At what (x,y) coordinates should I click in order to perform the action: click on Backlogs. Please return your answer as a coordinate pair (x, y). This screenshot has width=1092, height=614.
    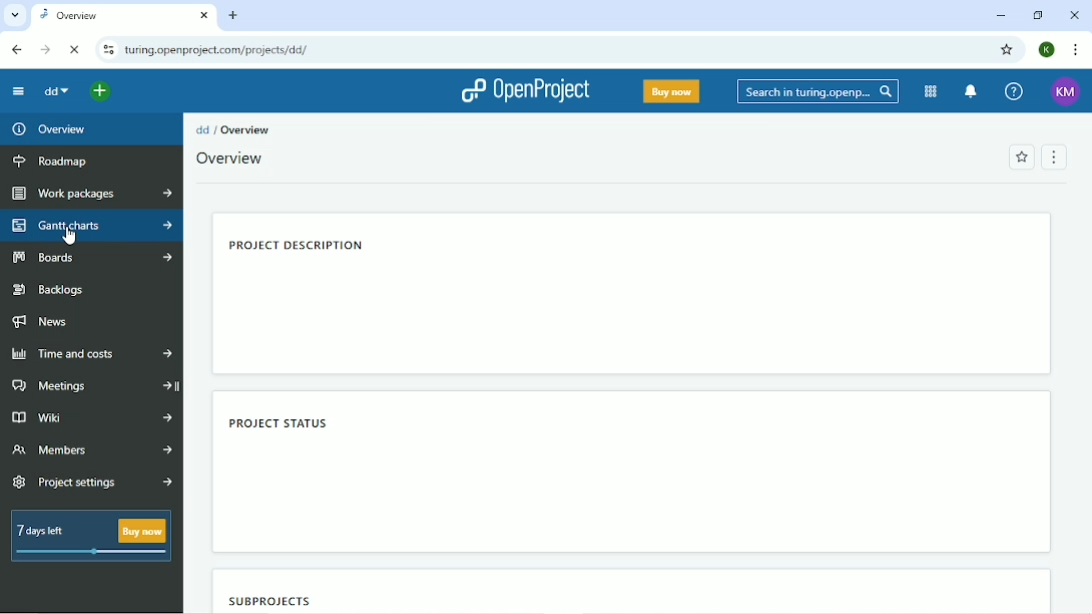
    Looking at the image, I should click on (47, 289).